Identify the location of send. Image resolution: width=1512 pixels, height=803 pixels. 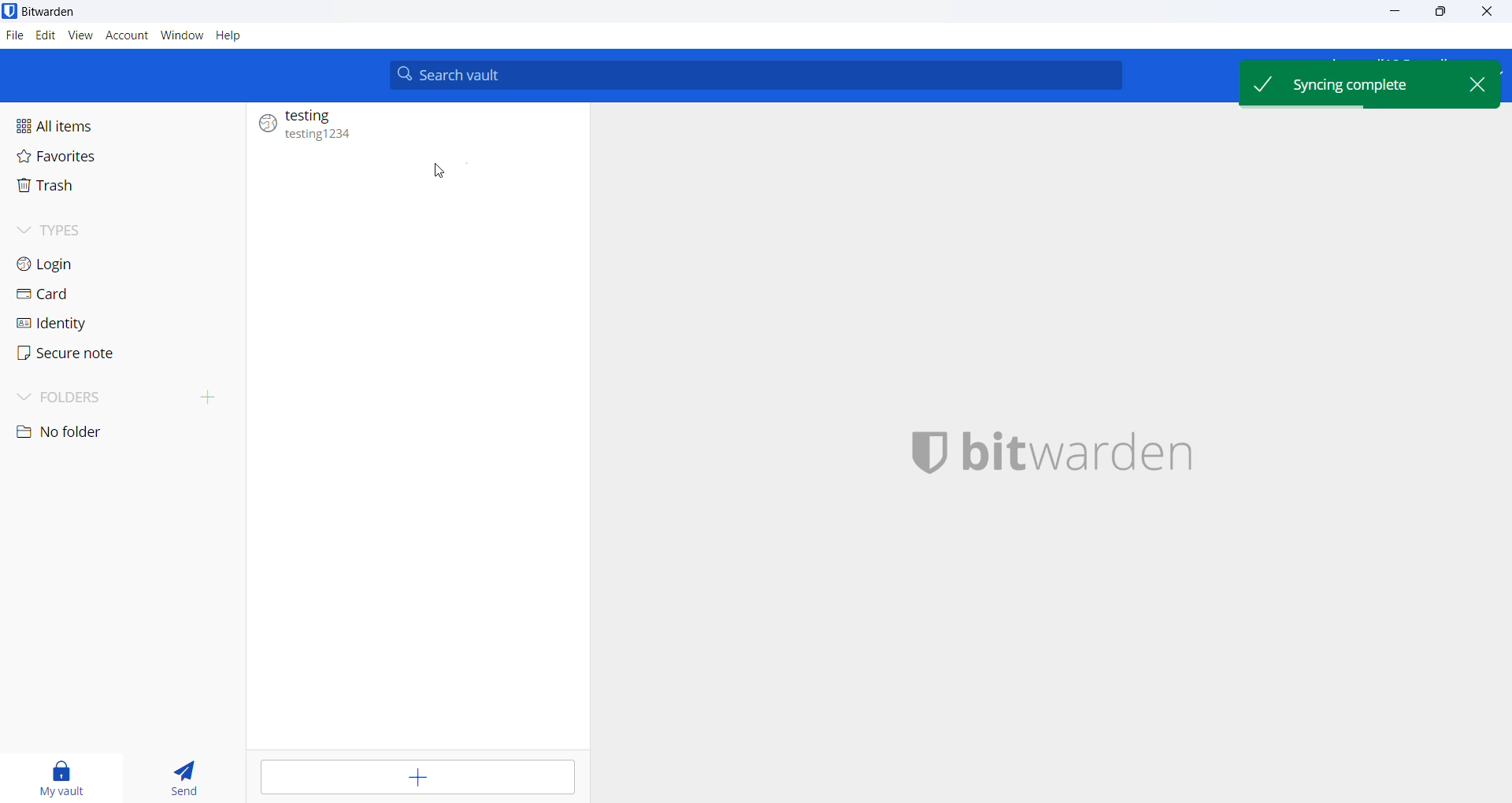
(183, 781).